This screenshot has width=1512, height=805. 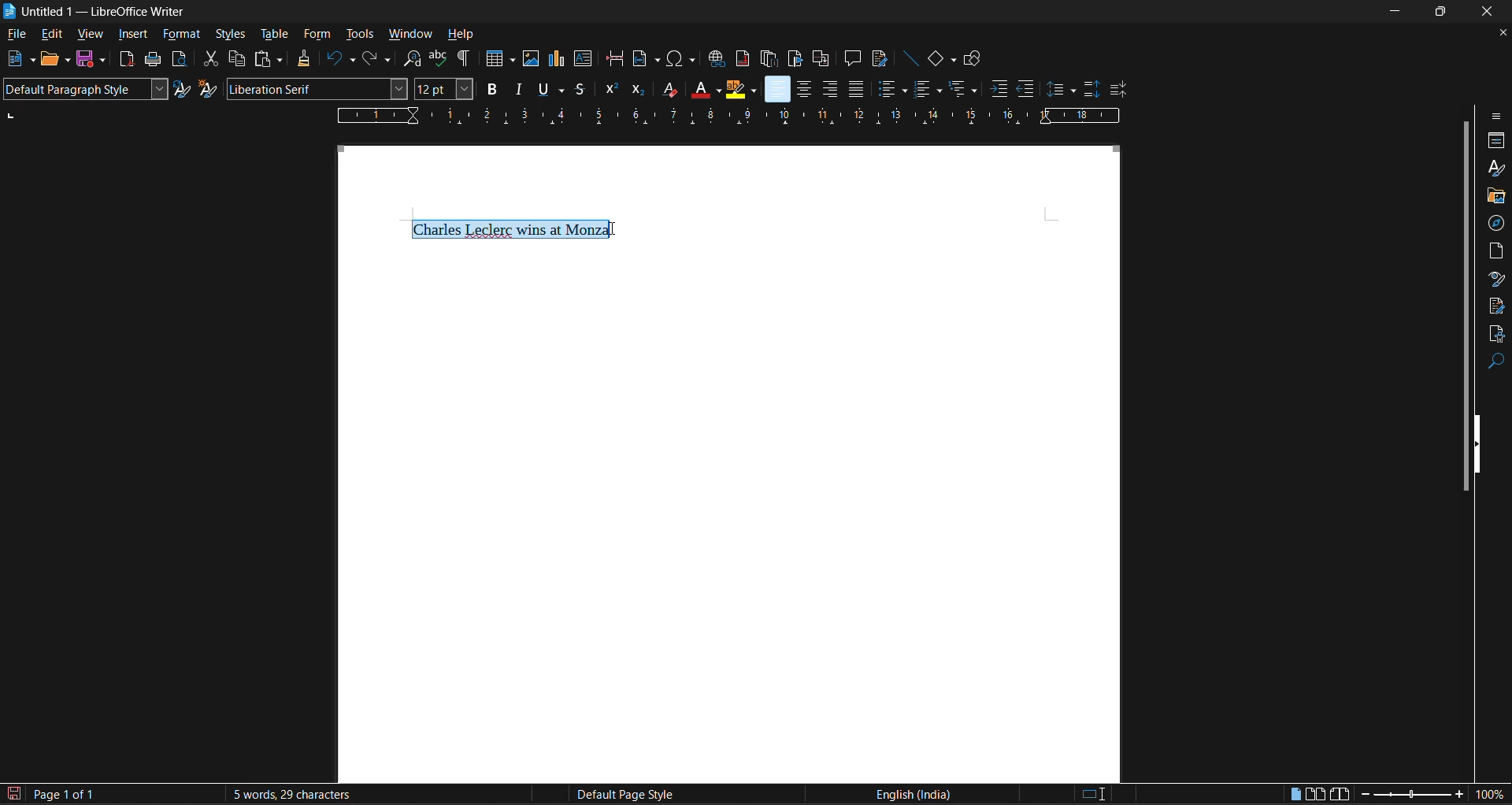 What do you see at coordinates (410, 59) in the screenshot?
I see `find and replace` at bounding box center [410, 59].